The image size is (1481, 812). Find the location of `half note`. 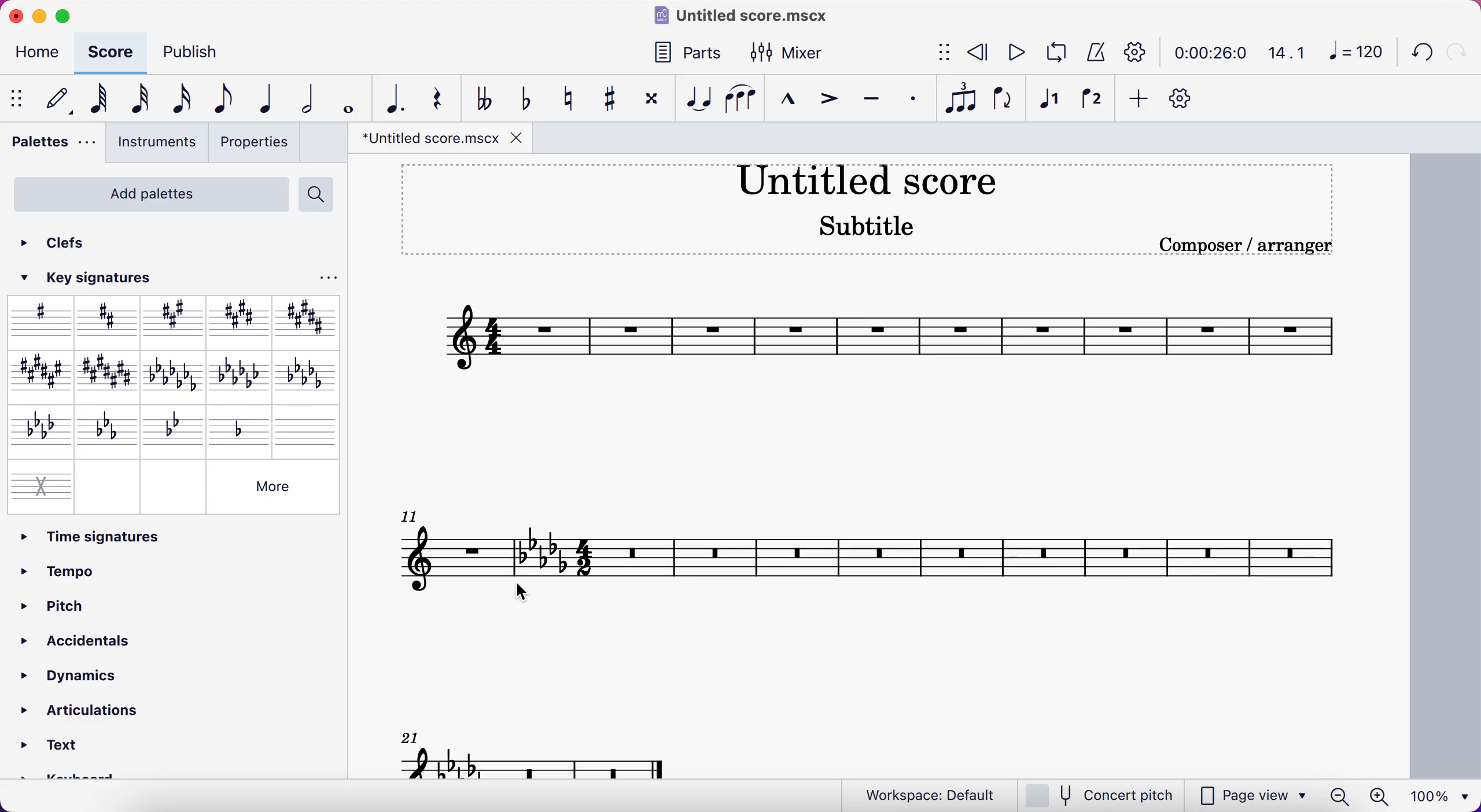

half note is located at coordinates (311, 96).